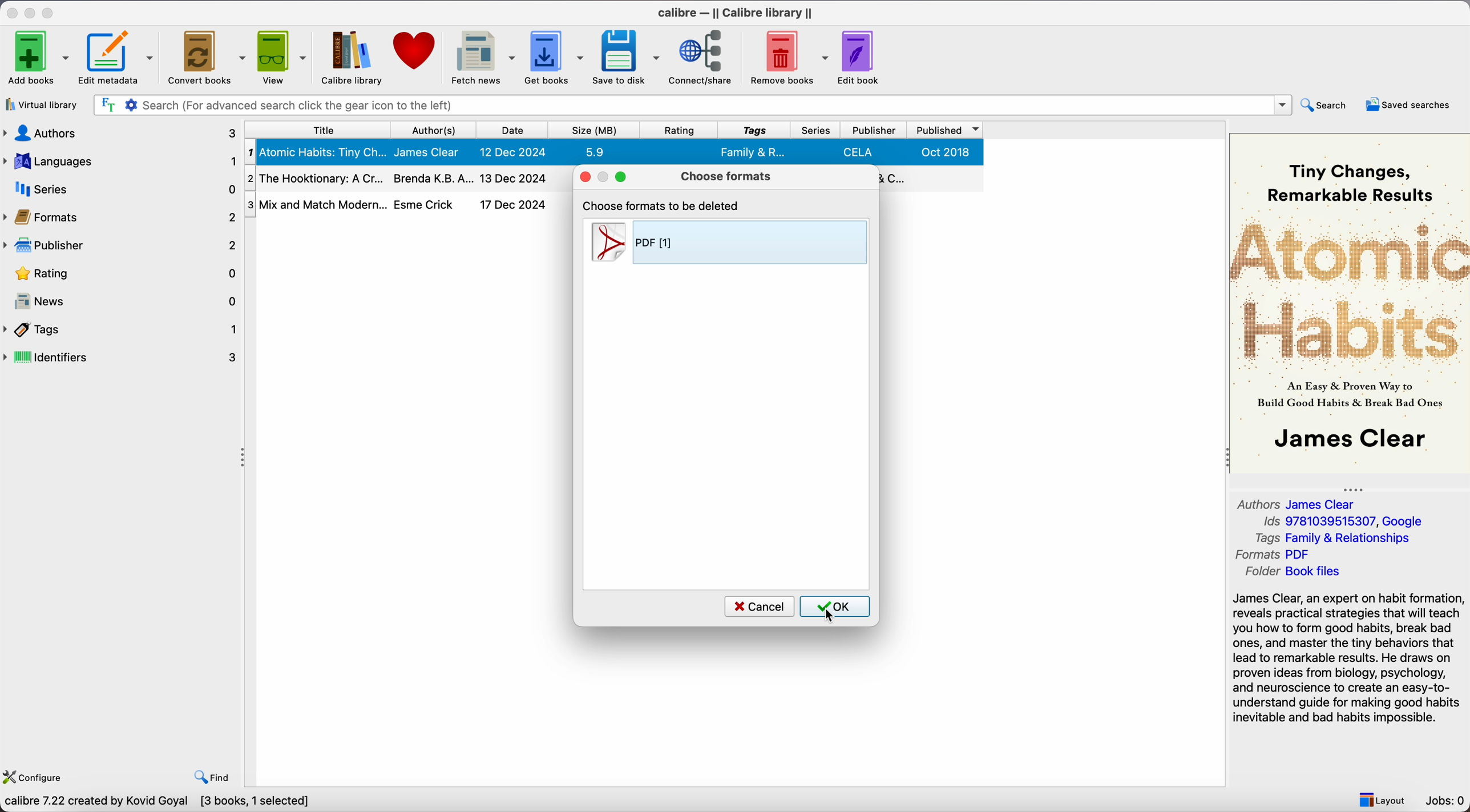 The width and height of the screenshot is (1470, 812). What do you see at coordinates (836, 606) in the screenshot?
I see `ok` at bounding box center [836, 606].